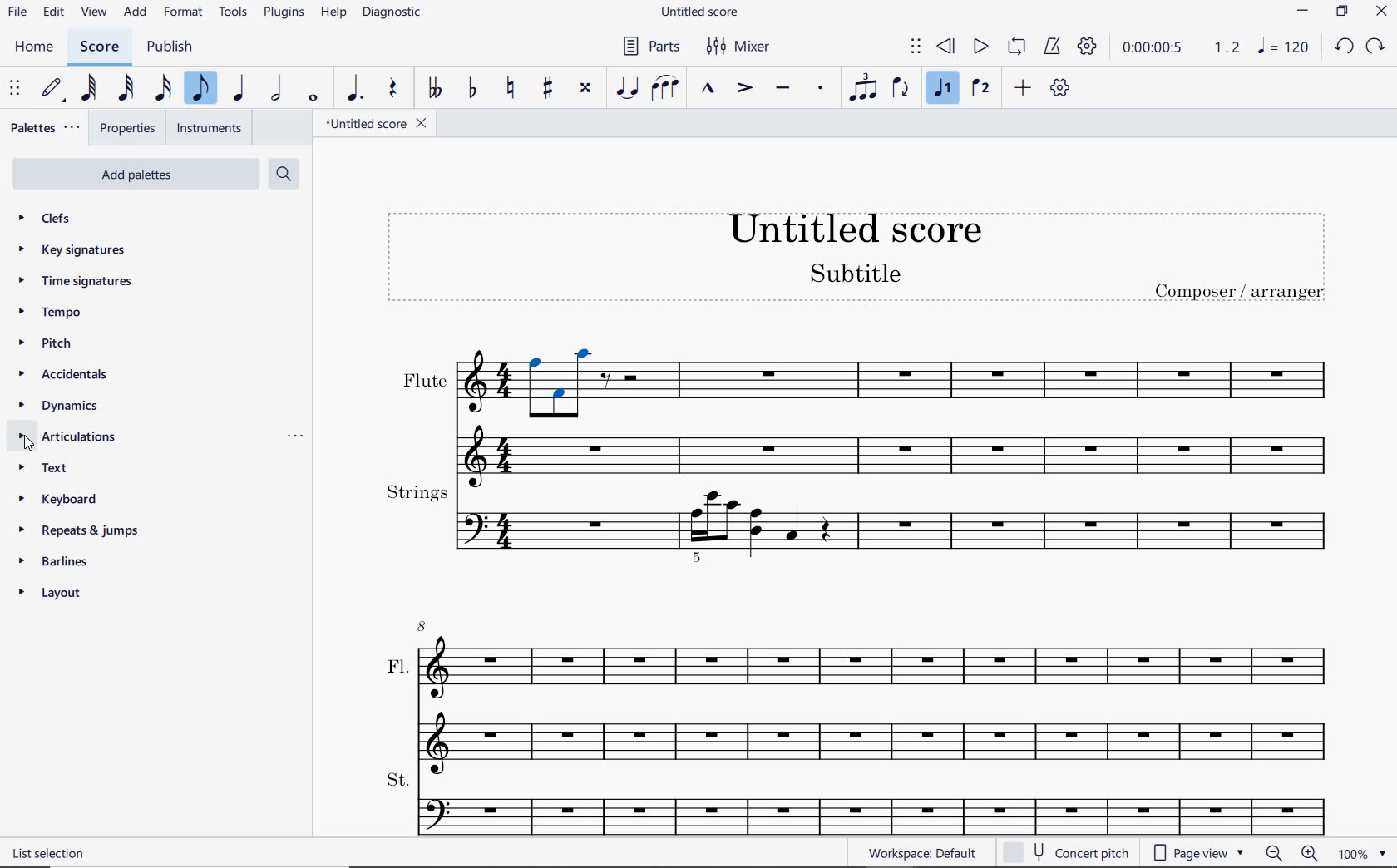 The height and width of the screenshot is (868, 1397). Describe the element at coordinates (1197, 853) in the screenshot. I see `page view` at that location.